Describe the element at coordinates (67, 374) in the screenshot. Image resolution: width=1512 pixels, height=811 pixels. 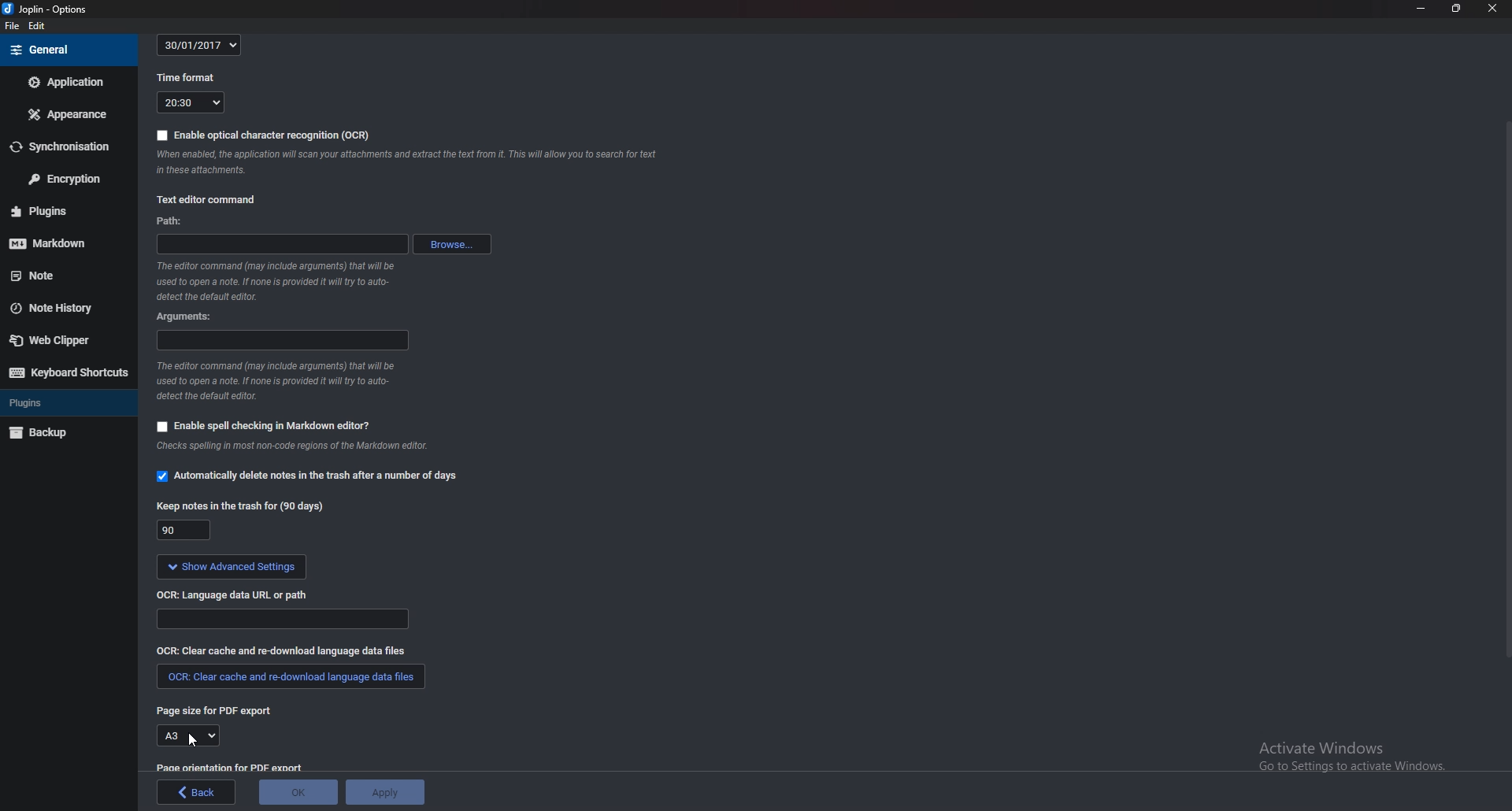
I see `Keyboard shortcuts` at that location.